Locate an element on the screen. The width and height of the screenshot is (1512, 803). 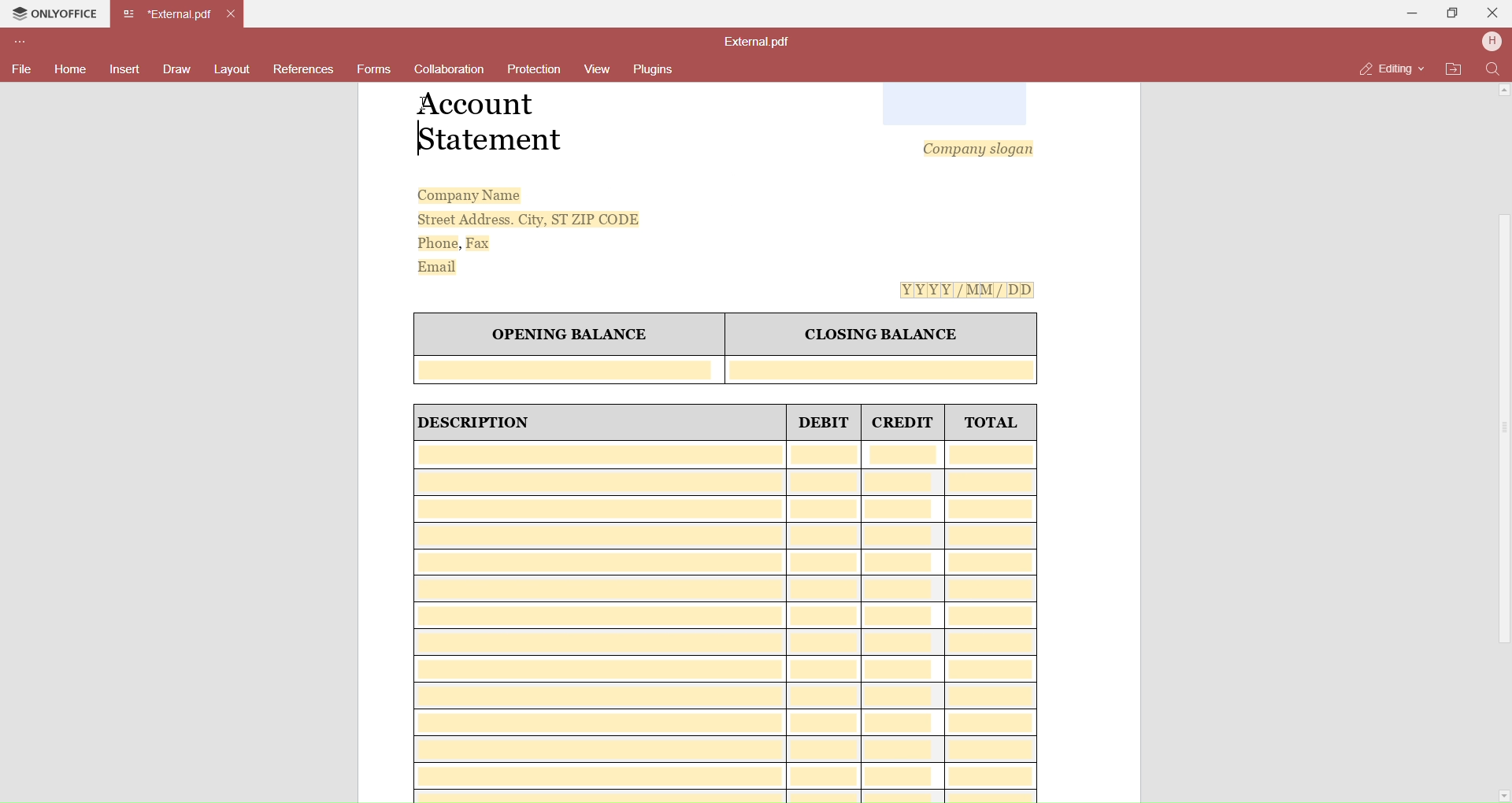
Open File Location is located at coordinates (1455, 70).